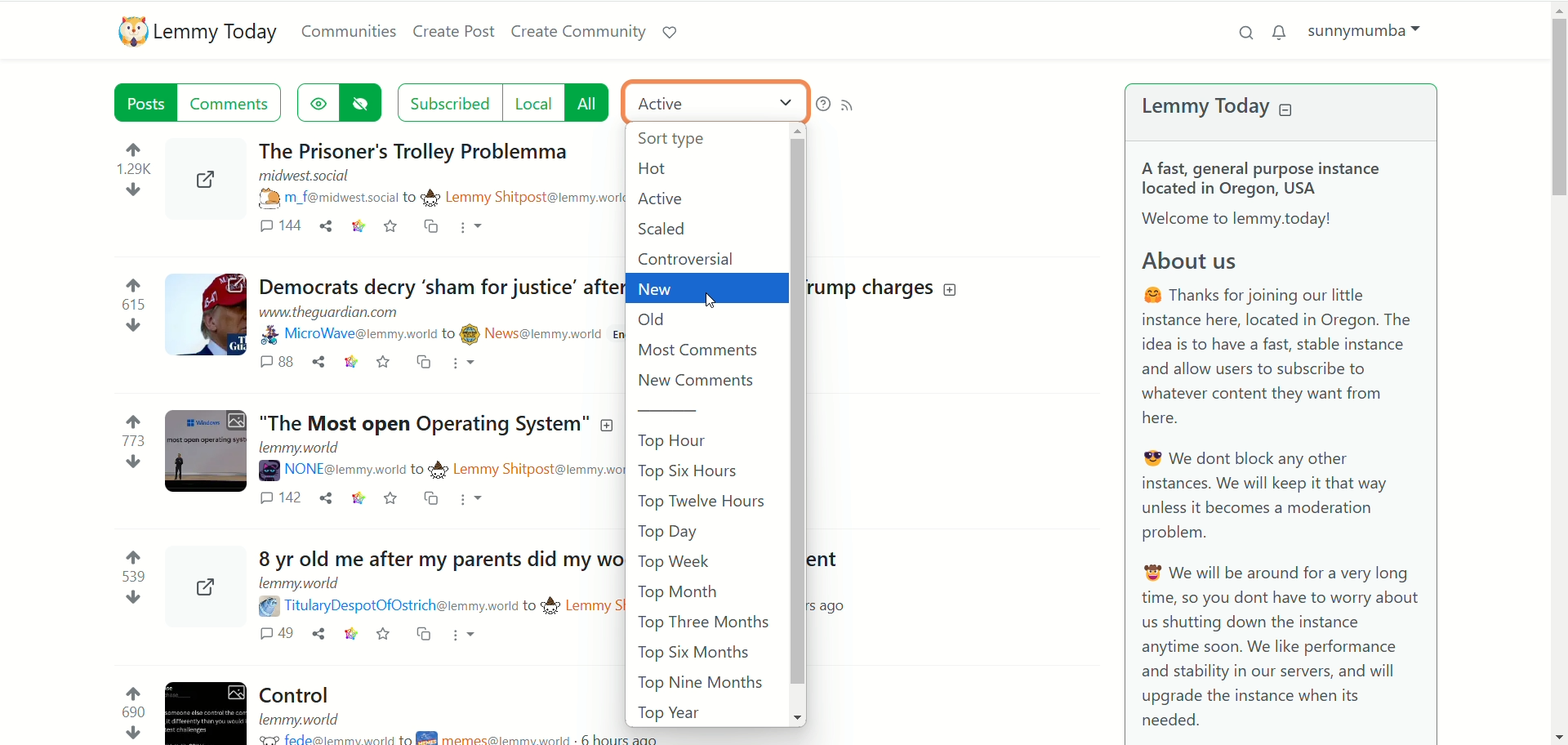 The height and width of the screenshot is (745, 1568). I want to click on link, so click(348, 636).